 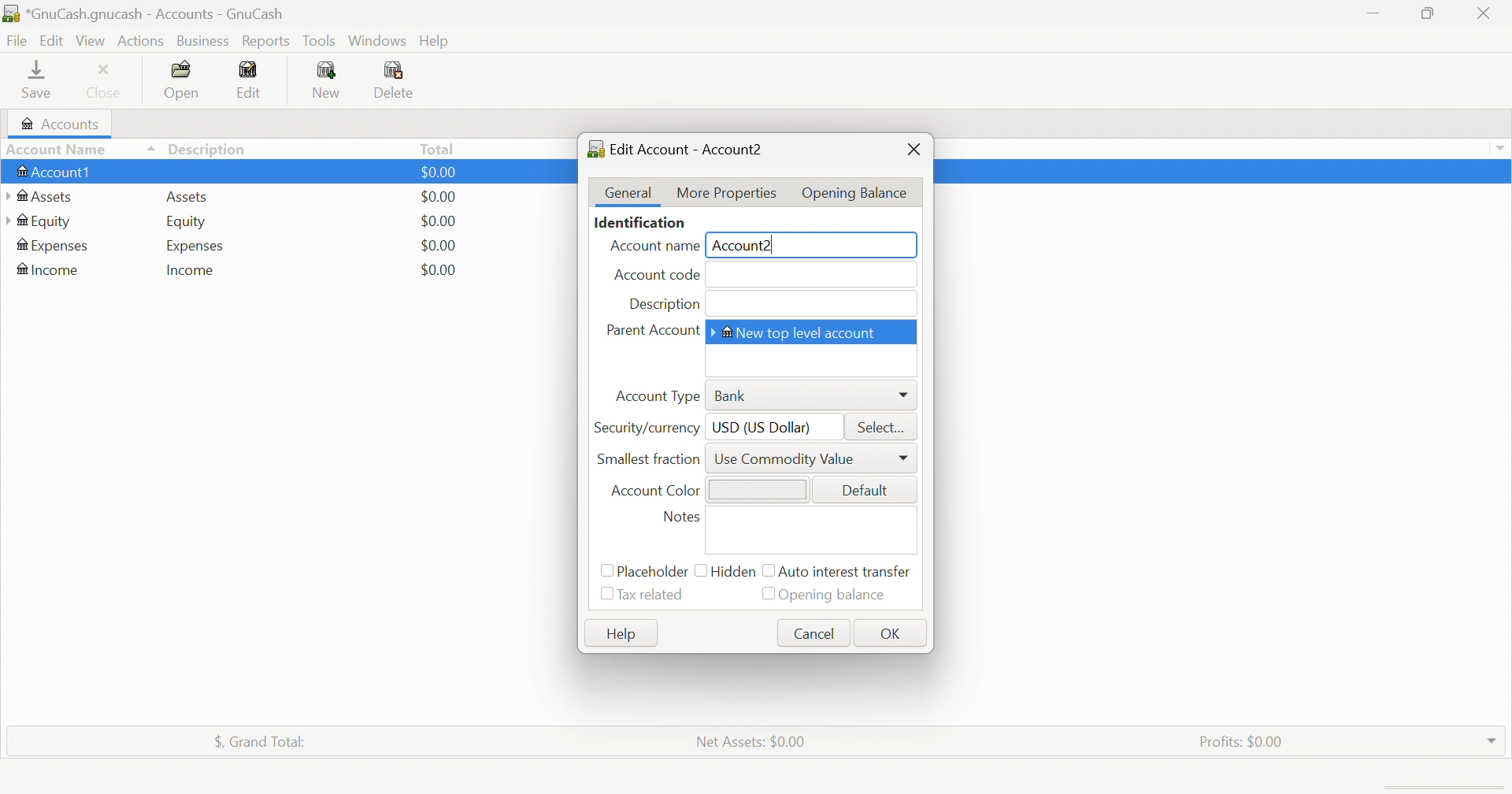 What do you see at coordinates (436, 42) in the screenshot?
I see `Help` at bounding box center [436, 42].